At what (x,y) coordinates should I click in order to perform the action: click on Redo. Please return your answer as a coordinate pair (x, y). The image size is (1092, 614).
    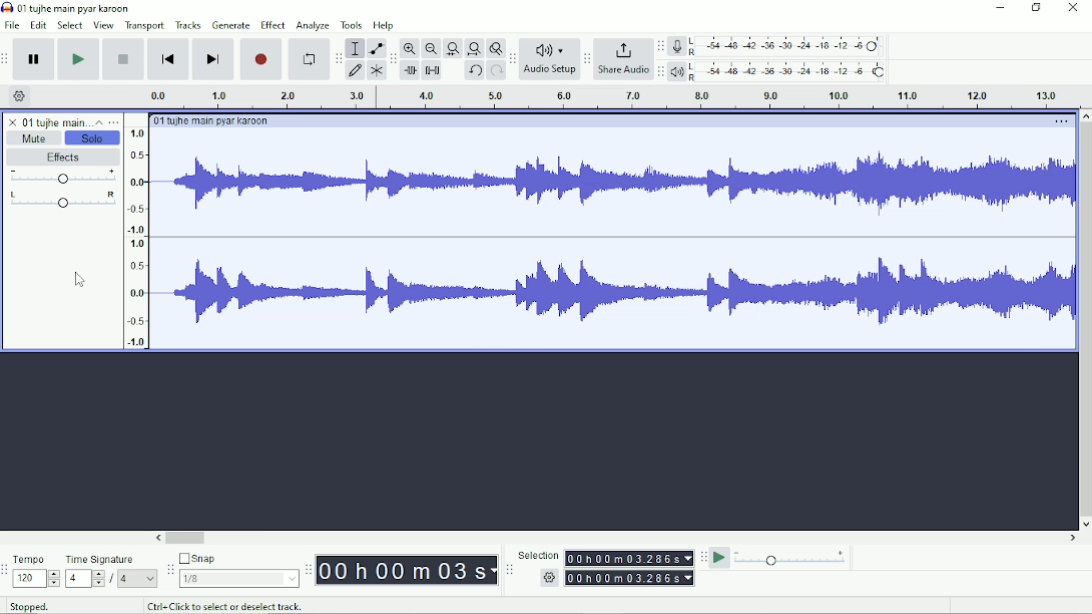
    Looking at the image, I should click on (494, 71).